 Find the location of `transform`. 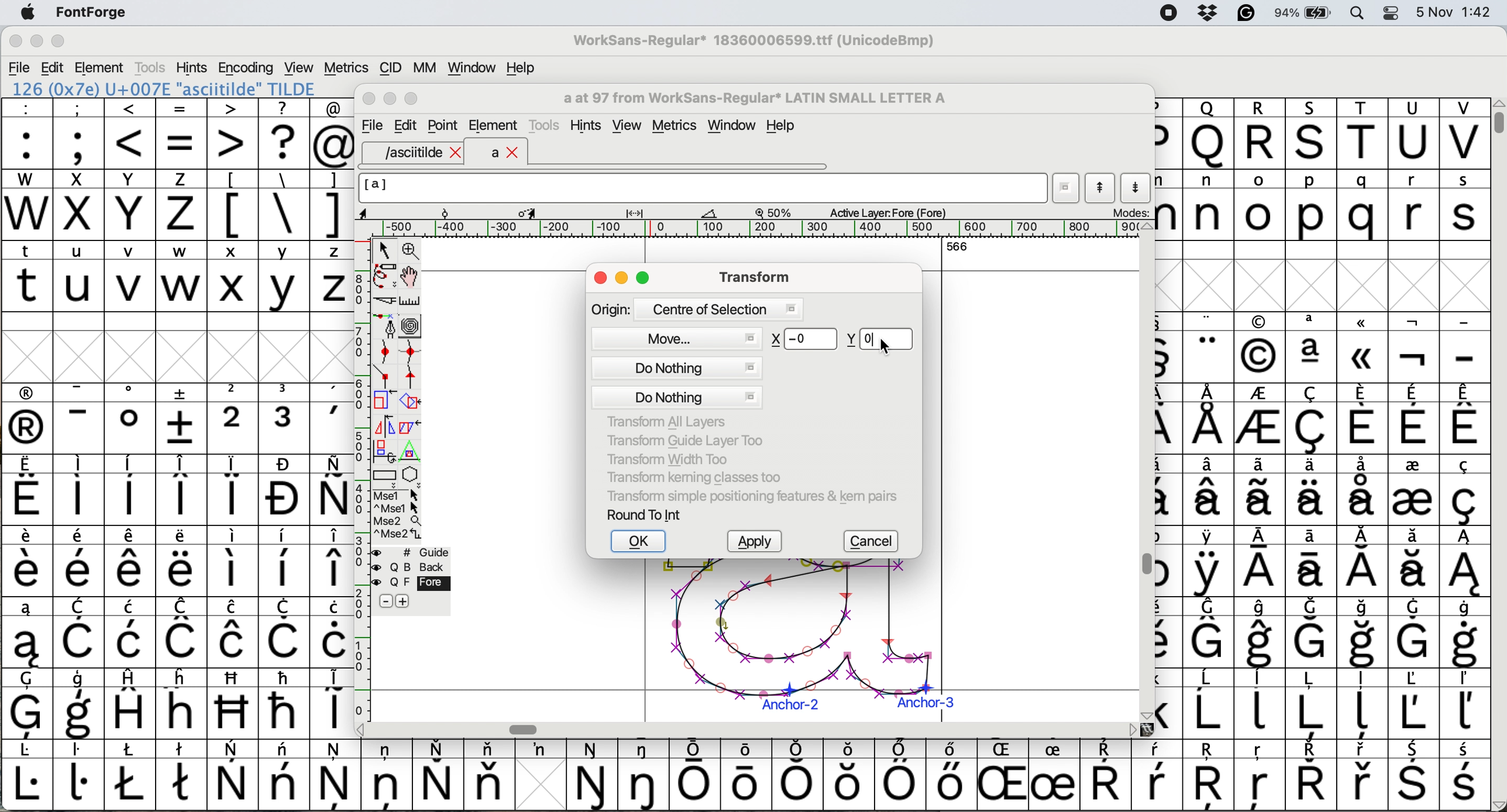

transform is located at coordinates (751, 276).